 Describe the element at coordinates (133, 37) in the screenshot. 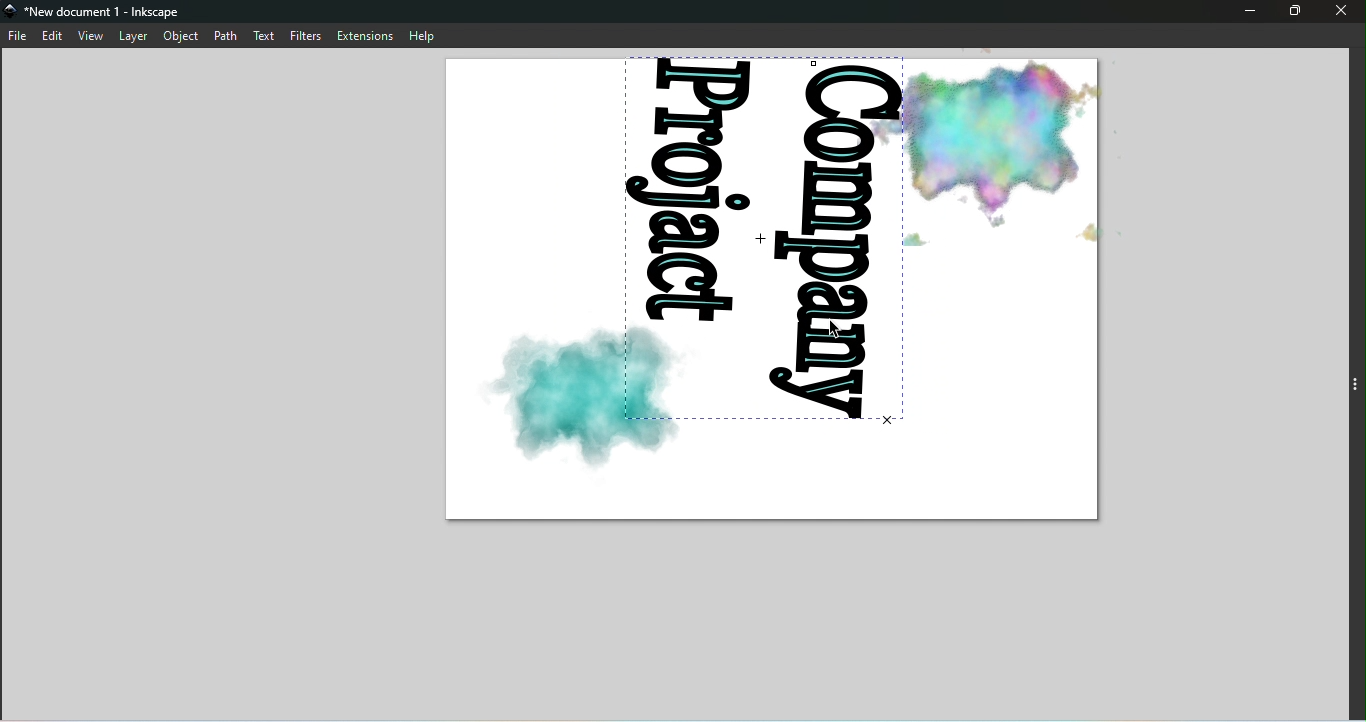

I see `Layer` at that location.